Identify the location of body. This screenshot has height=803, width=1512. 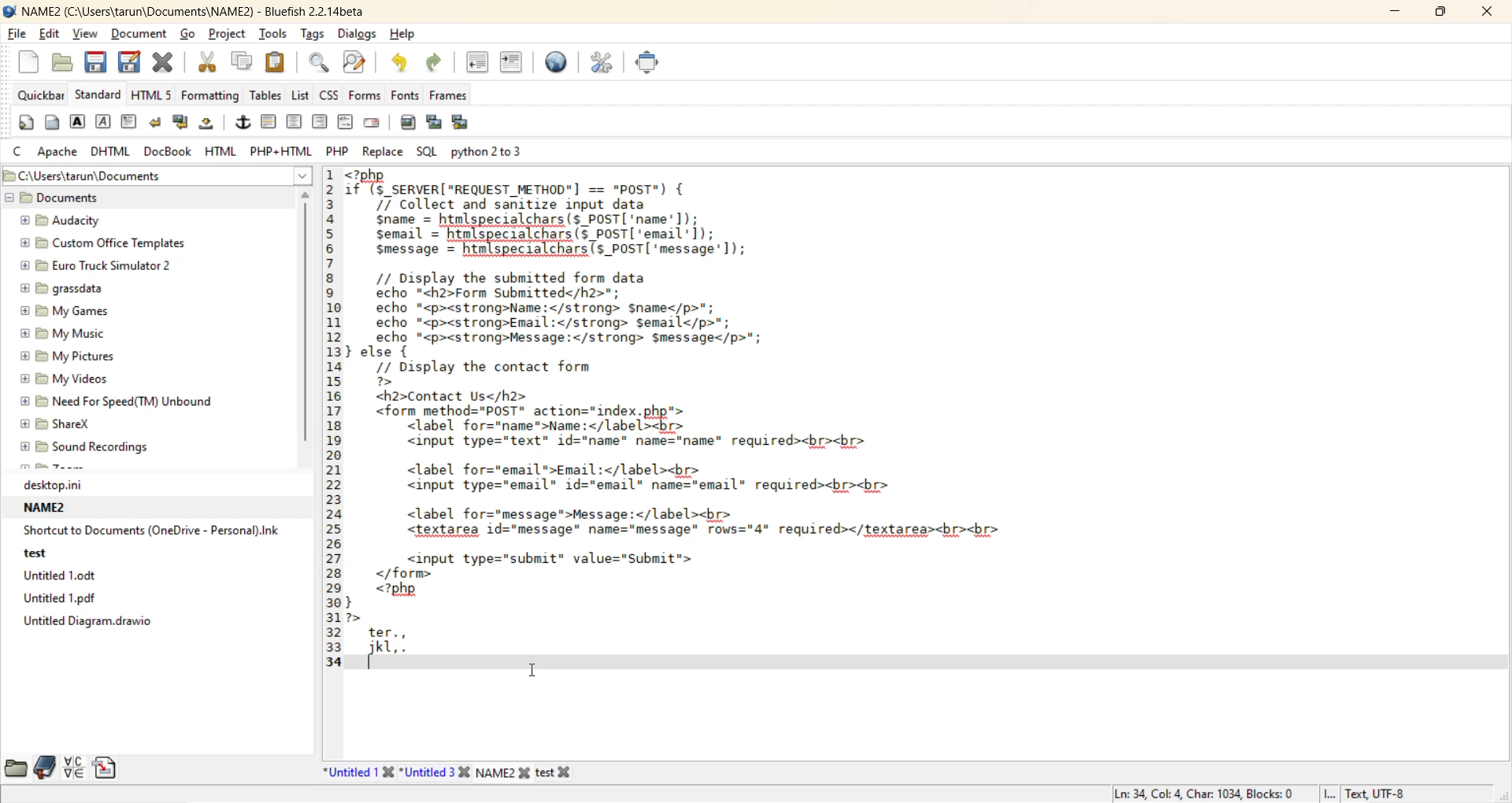
(50, 122).